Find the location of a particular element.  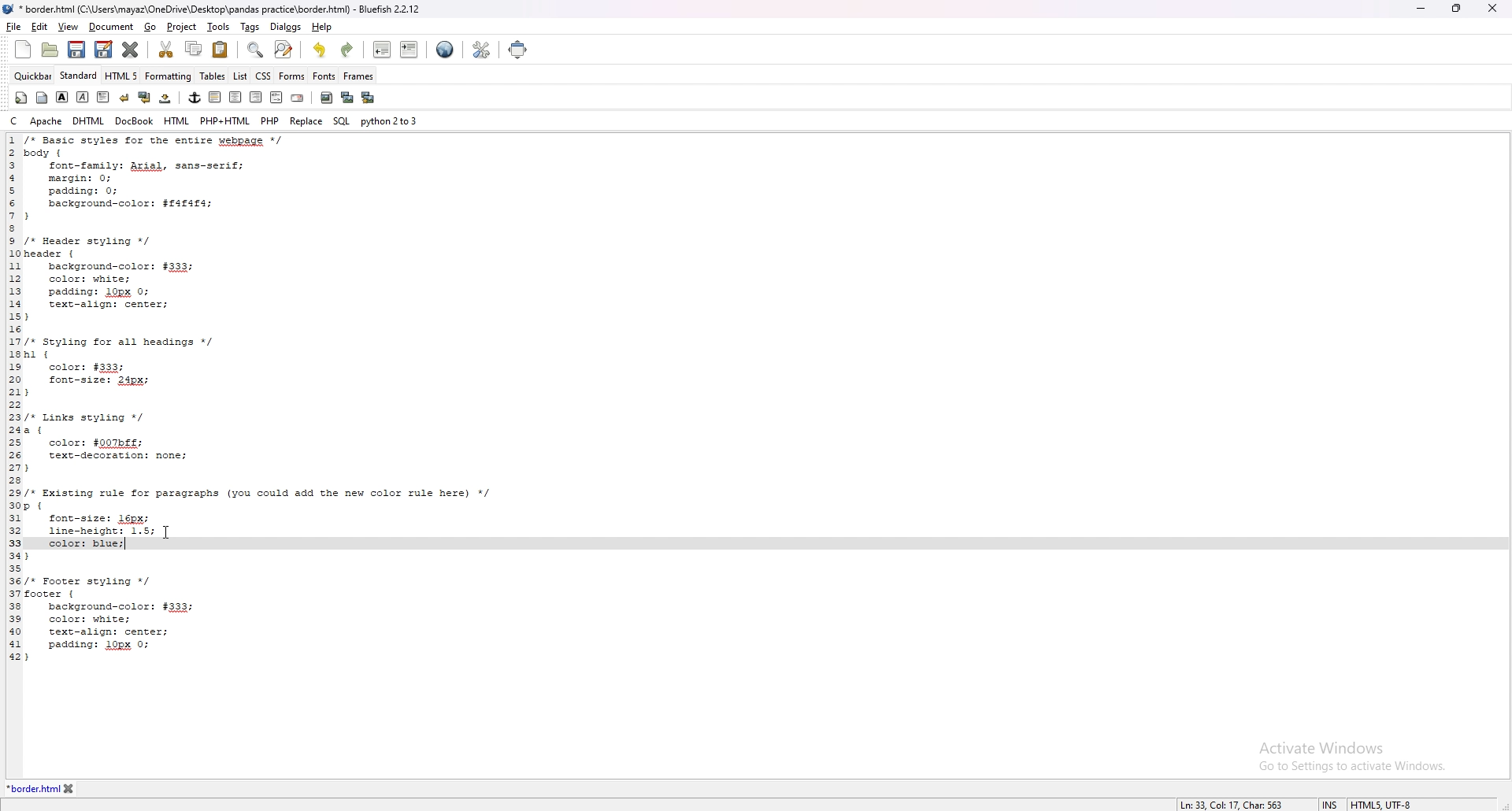

edit is located at coordinates (40, 26).